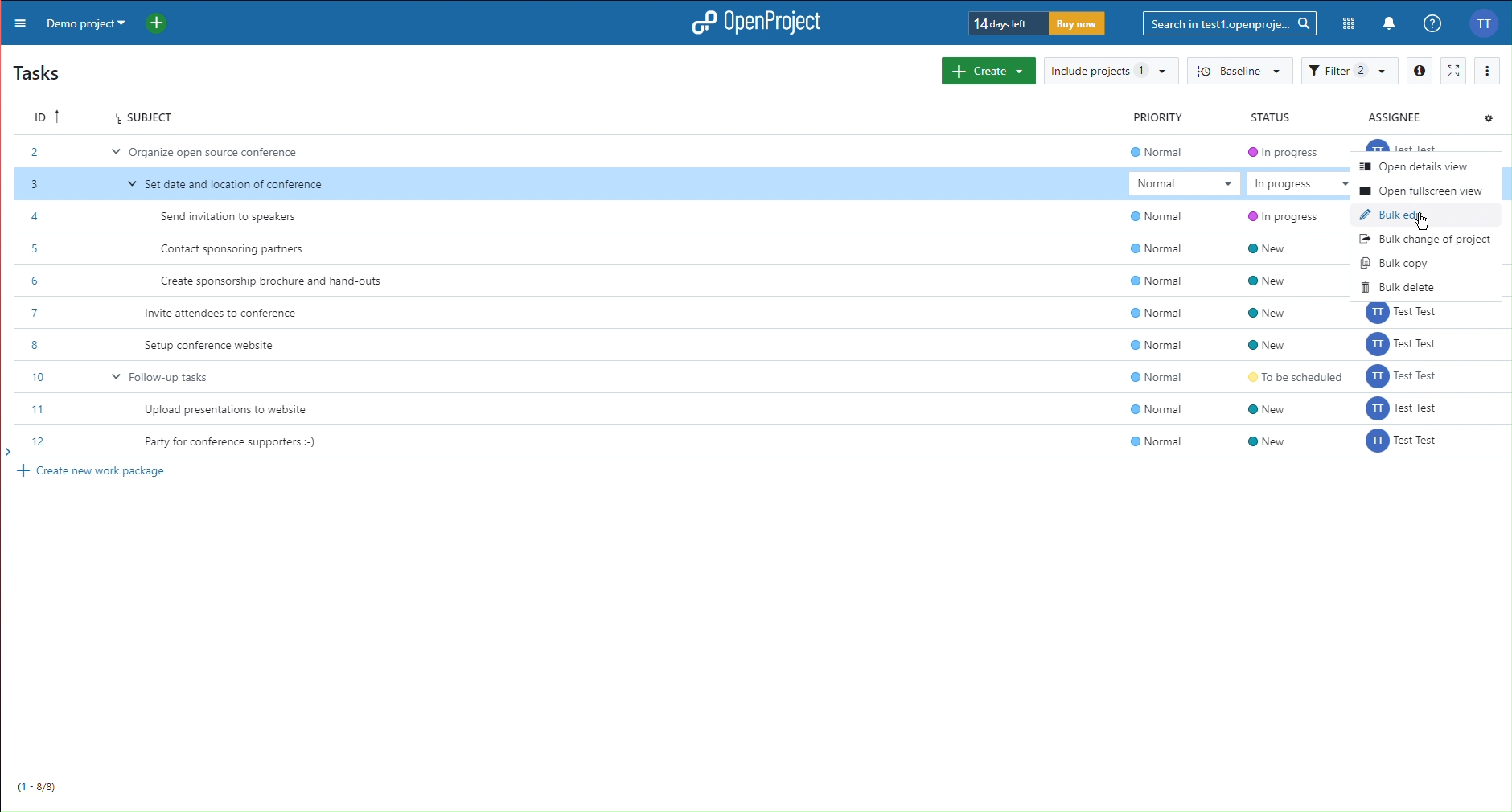  Describe the element at coordinates (1453, 71) in the screenshot. I see `Fullscreen` at that location.